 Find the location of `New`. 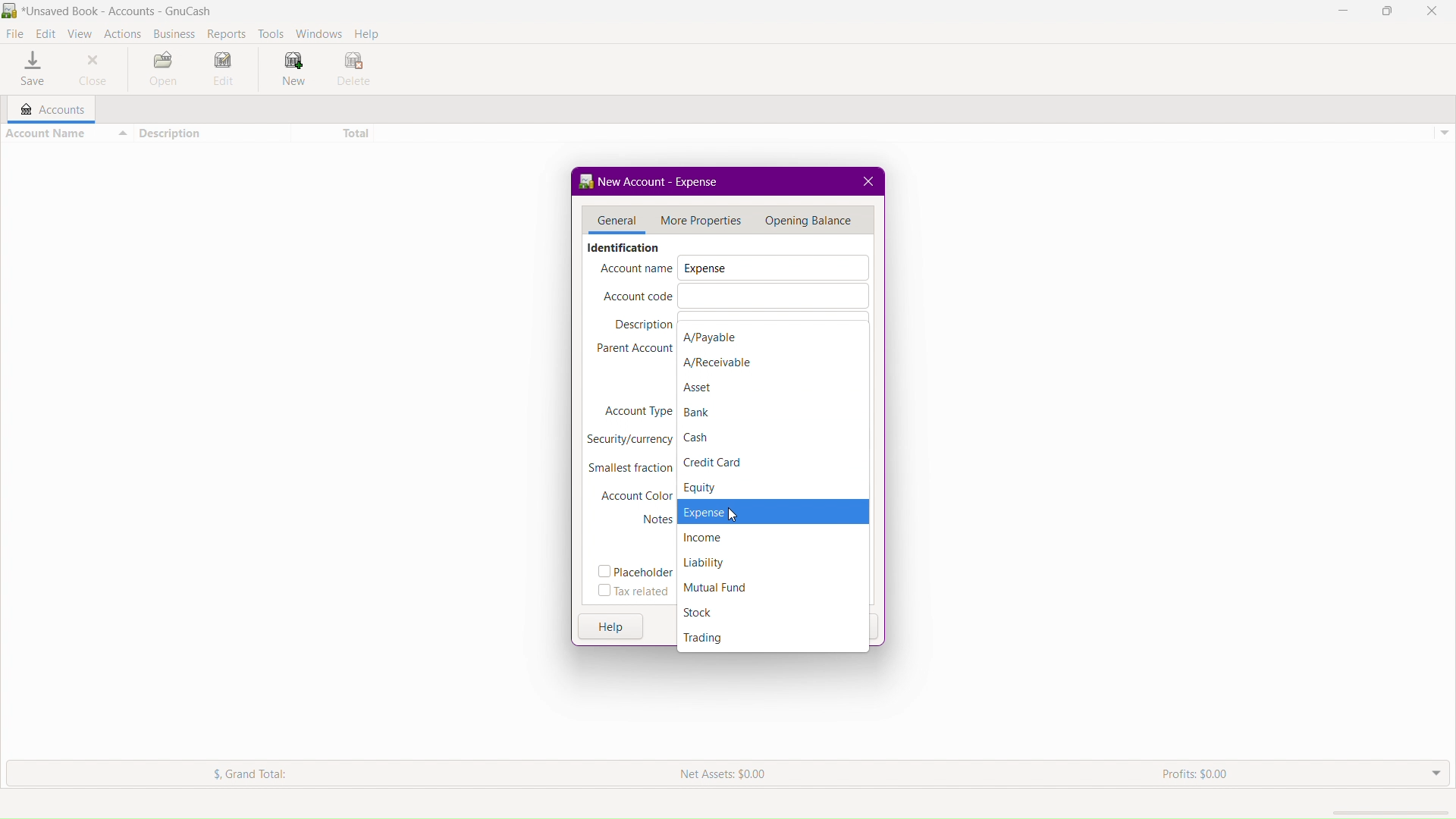

New is located at coordinates (290, 71).